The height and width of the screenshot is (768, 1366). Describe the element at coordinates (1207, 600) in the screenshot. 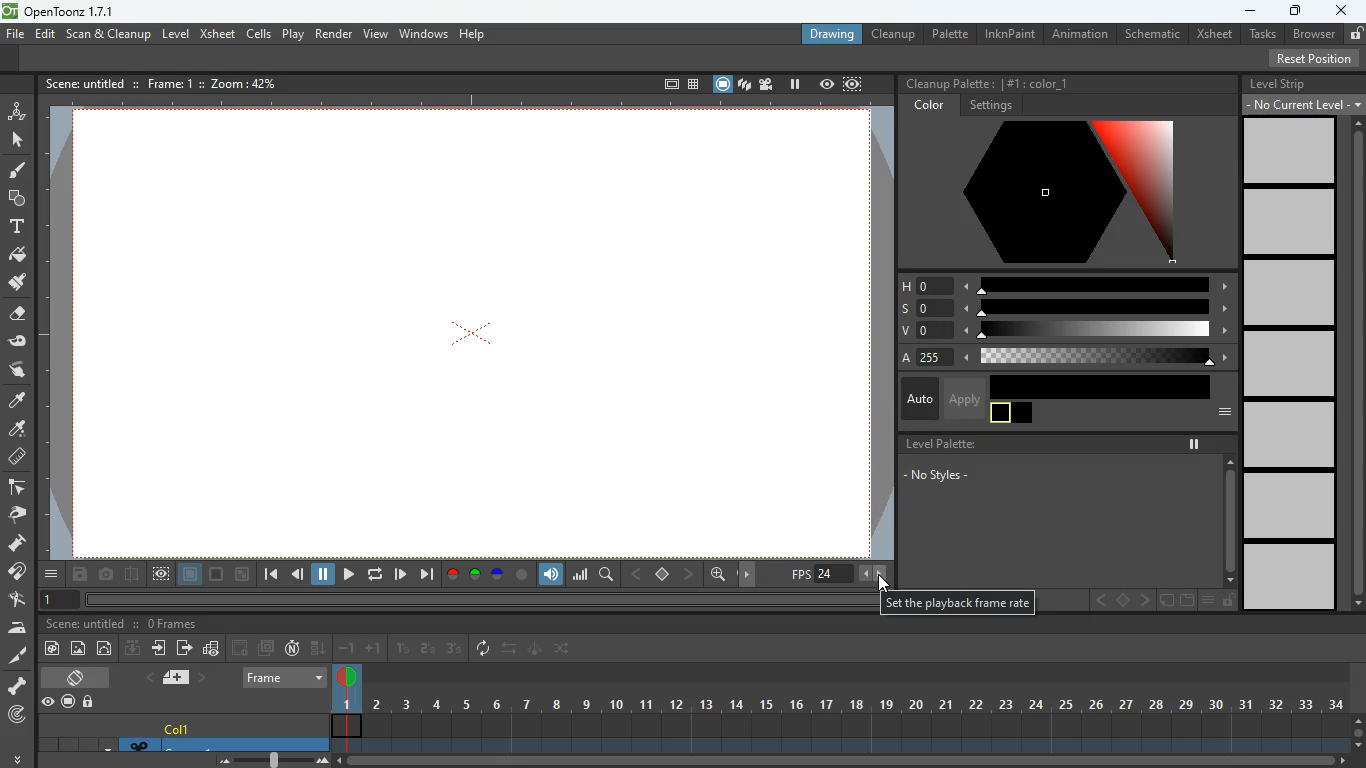

I see `menu` at that location.